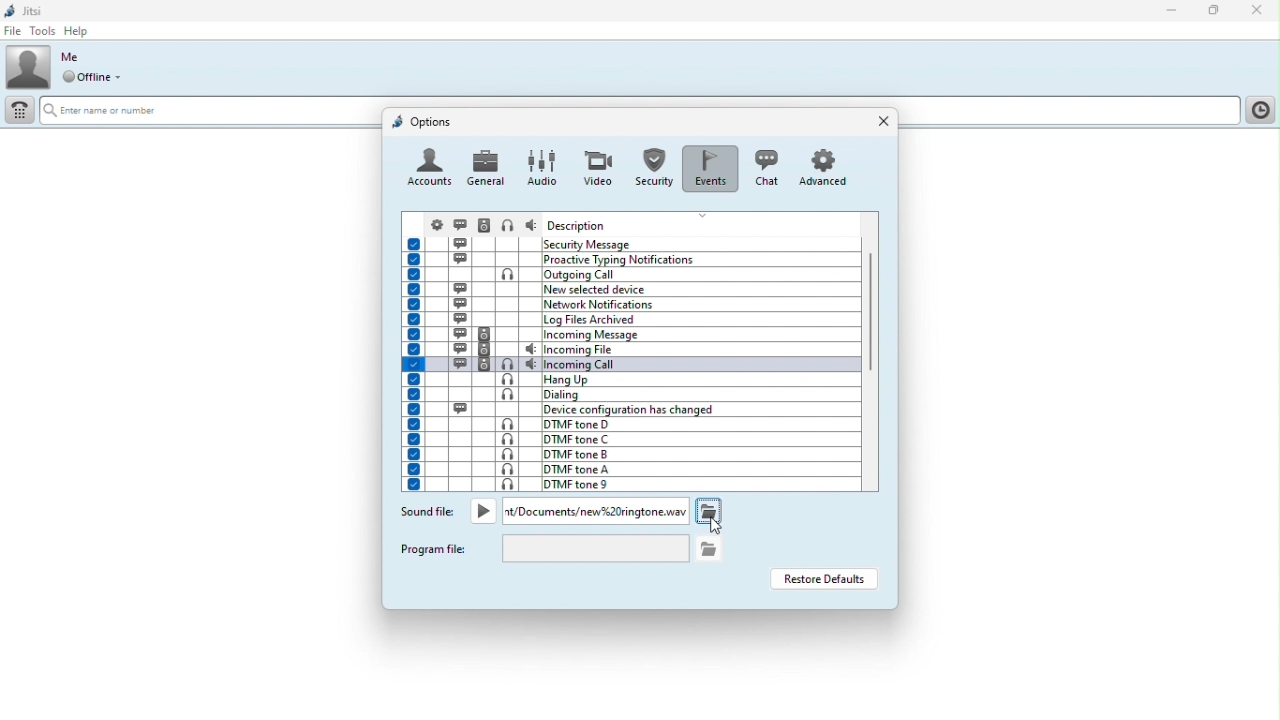  What do you see at coordinates (18, 113) in the screenshot?
I see `Dial pad` at bounding box center [18, 113].